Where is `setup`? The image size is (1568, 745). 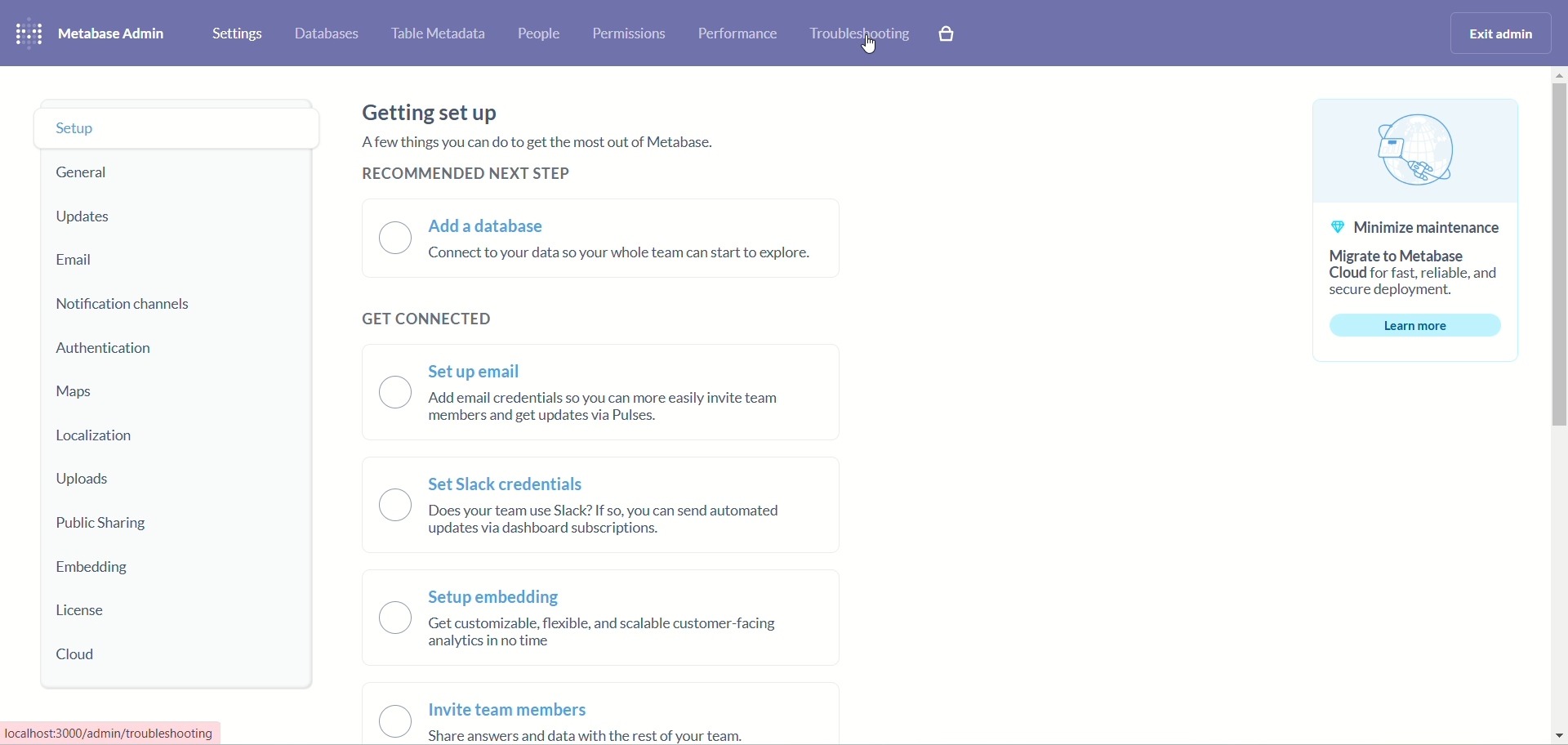 setup is located at coordinates (180, 132).